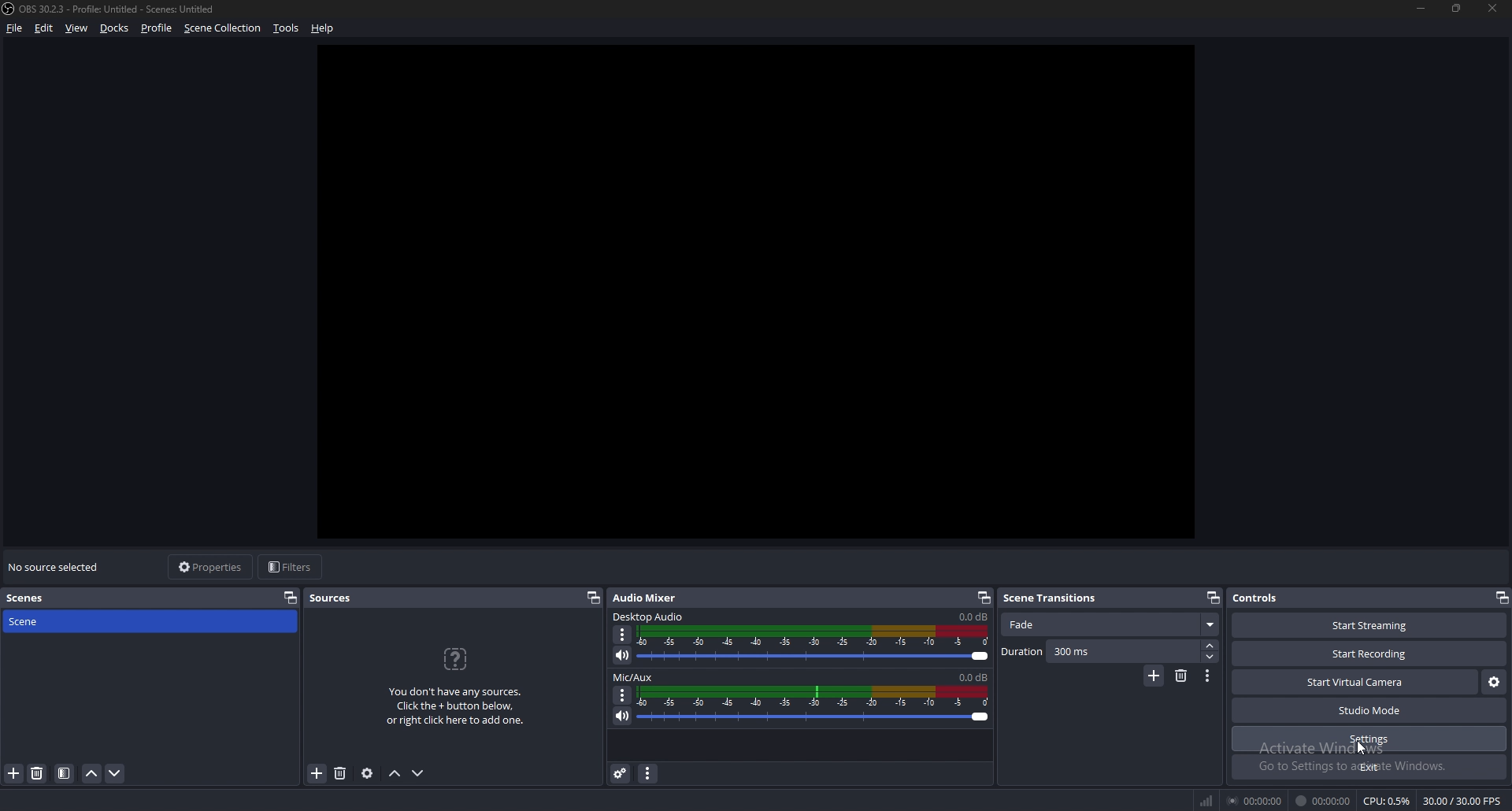 This screenshot has width=1512, height=811. What do you see at coordinates (1210, 646) in the screenshot?
I see `increase duration` at bounding box center [1210, 646].